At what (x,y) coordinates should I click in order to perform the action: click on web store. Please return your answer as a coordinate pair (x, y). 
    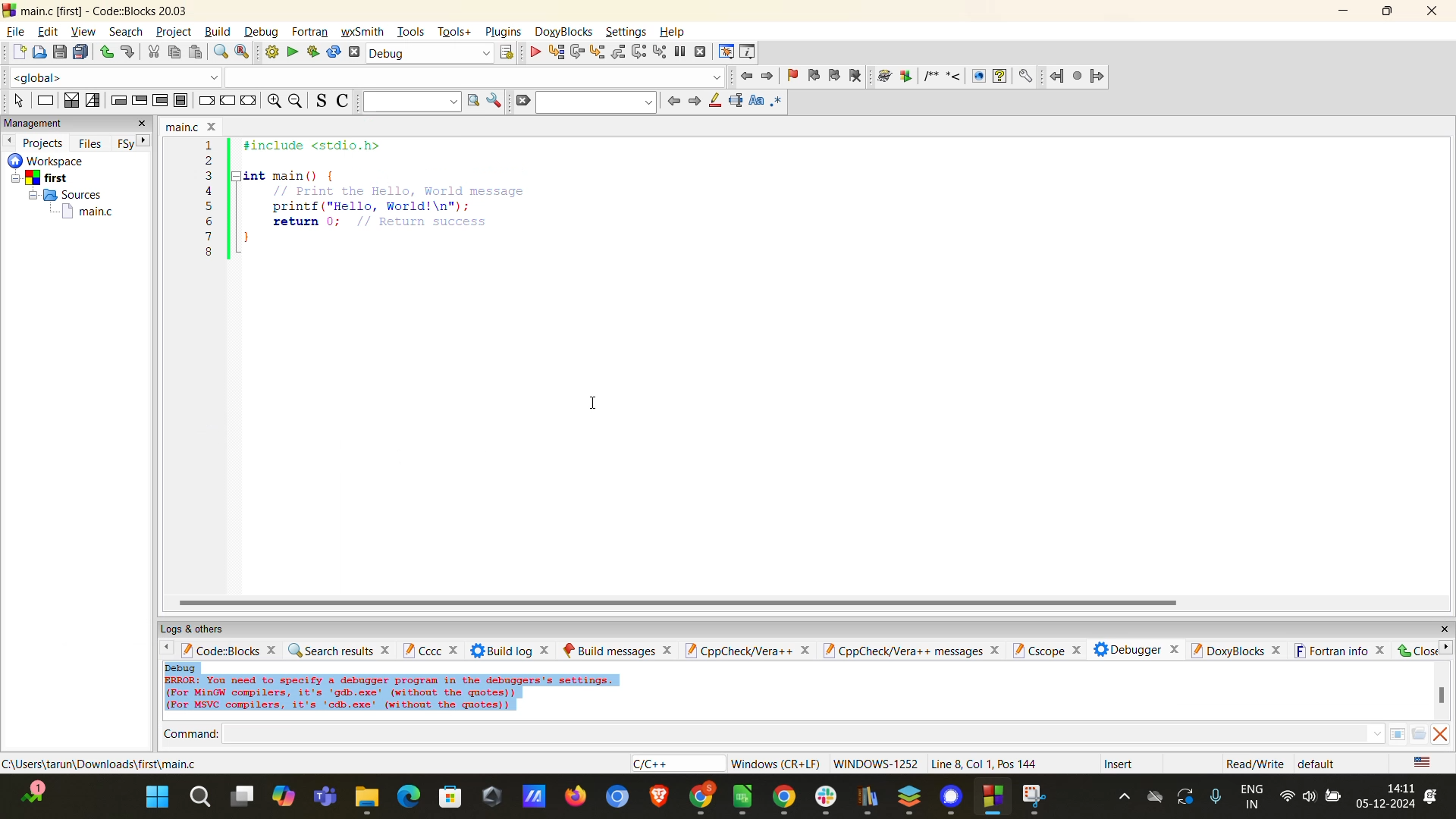
    Looking at the image, I should click on (445, 797).